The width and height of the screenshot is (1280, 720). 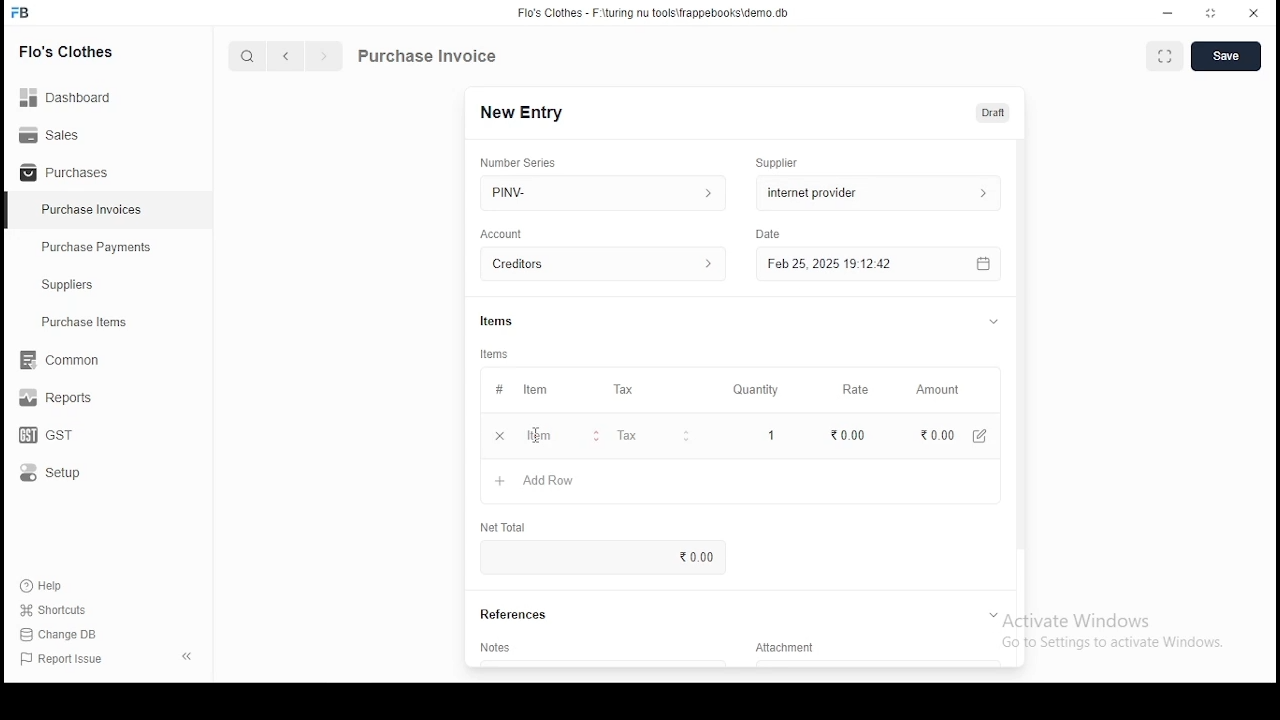 What do you see at coordinates (654, 13) in the screenshot?
I see `flo's clothes - F:\turing nu tools\frappebooks\demo.db` at bounding box center [654, 13].